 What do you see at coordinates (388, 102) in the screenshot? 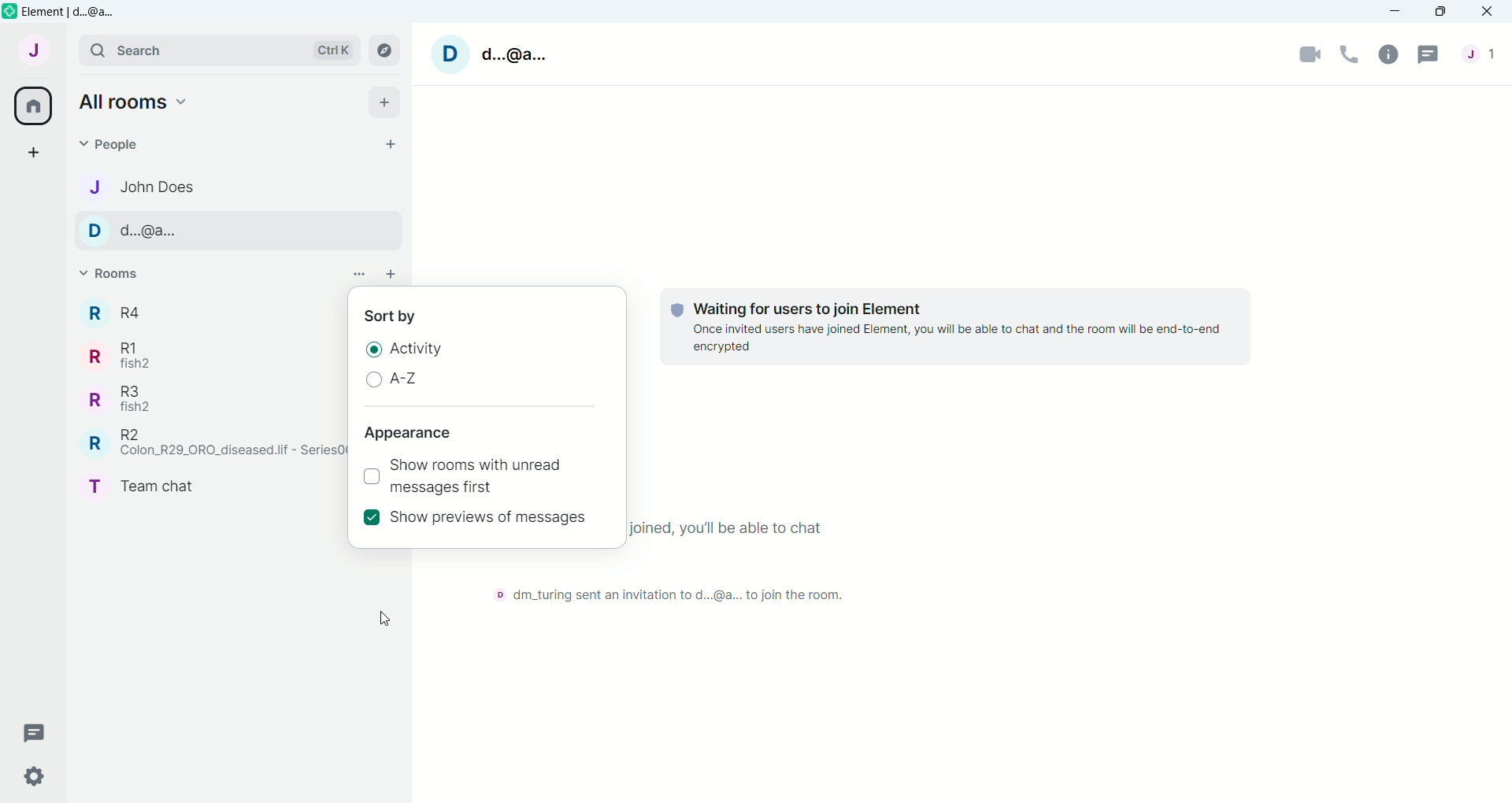
I see `add` at bounding box center [388, 102].